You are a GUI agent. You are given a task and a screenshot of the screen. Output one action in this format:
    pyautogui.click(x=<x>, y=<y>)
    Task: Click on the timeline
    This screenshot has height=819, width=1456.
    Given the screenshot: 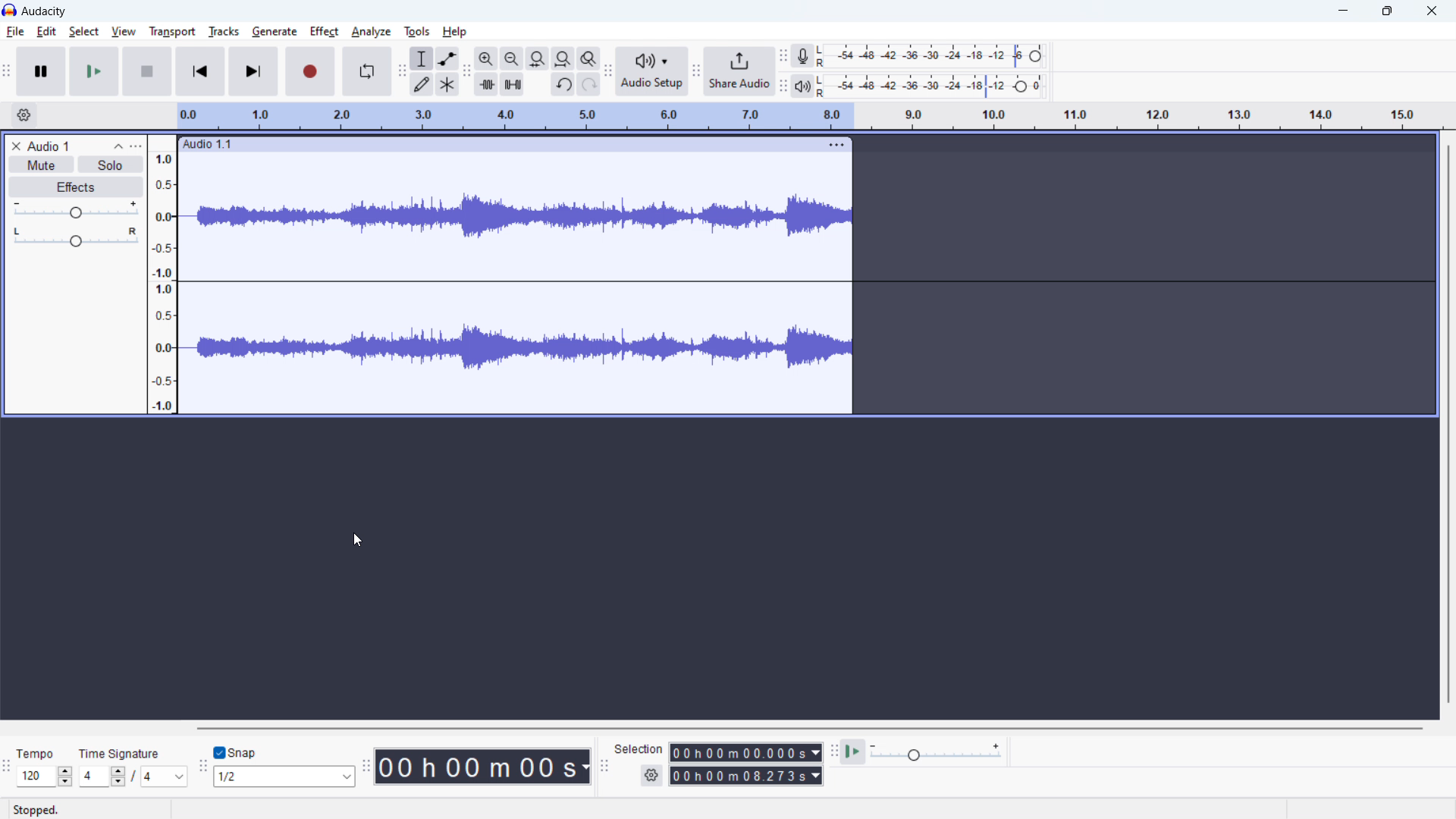 What is the action you would take?
    pyautogui.click(x=163, y=274)
    